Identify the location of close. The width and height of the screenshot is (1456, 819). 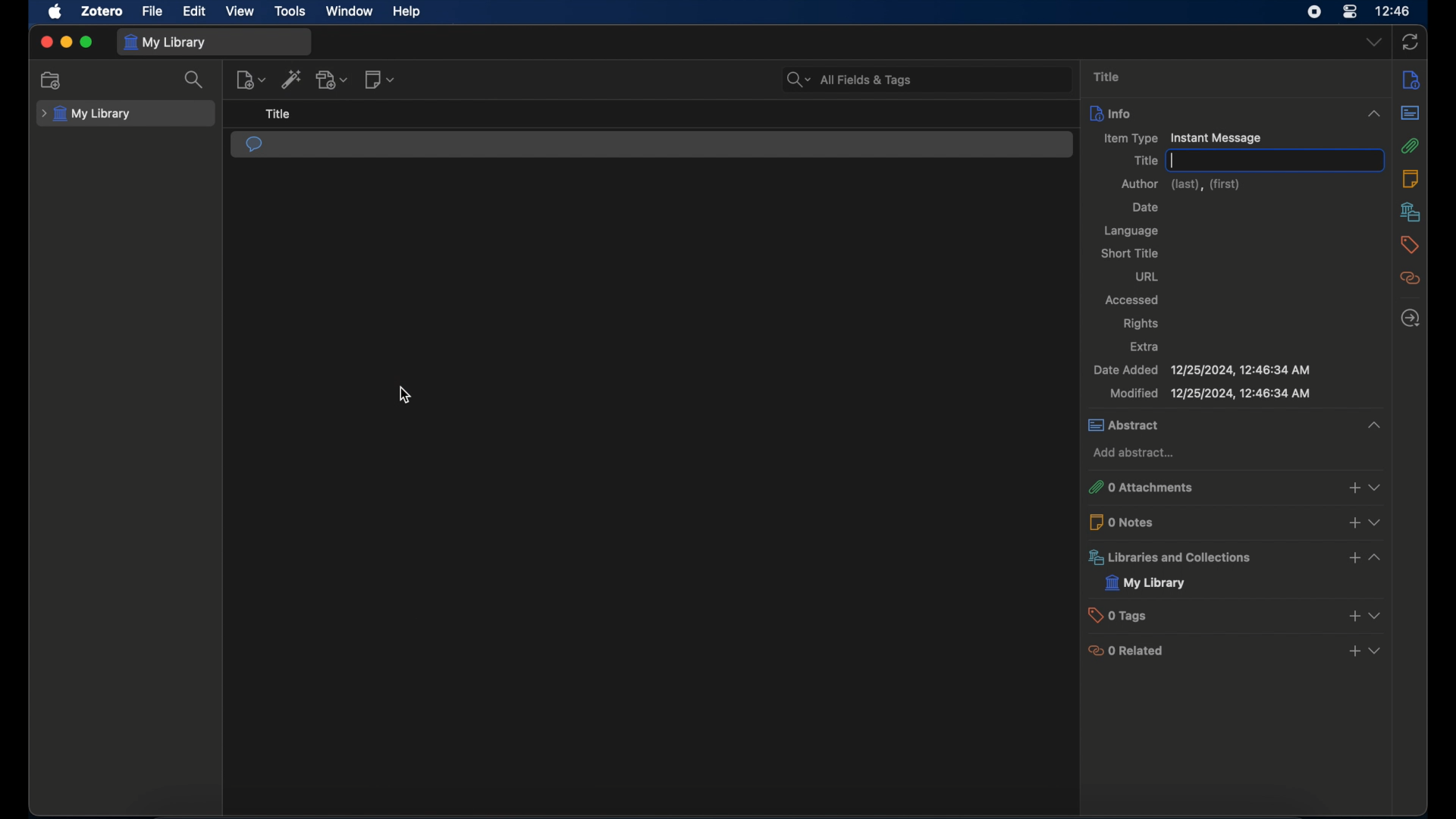
(45, 42).